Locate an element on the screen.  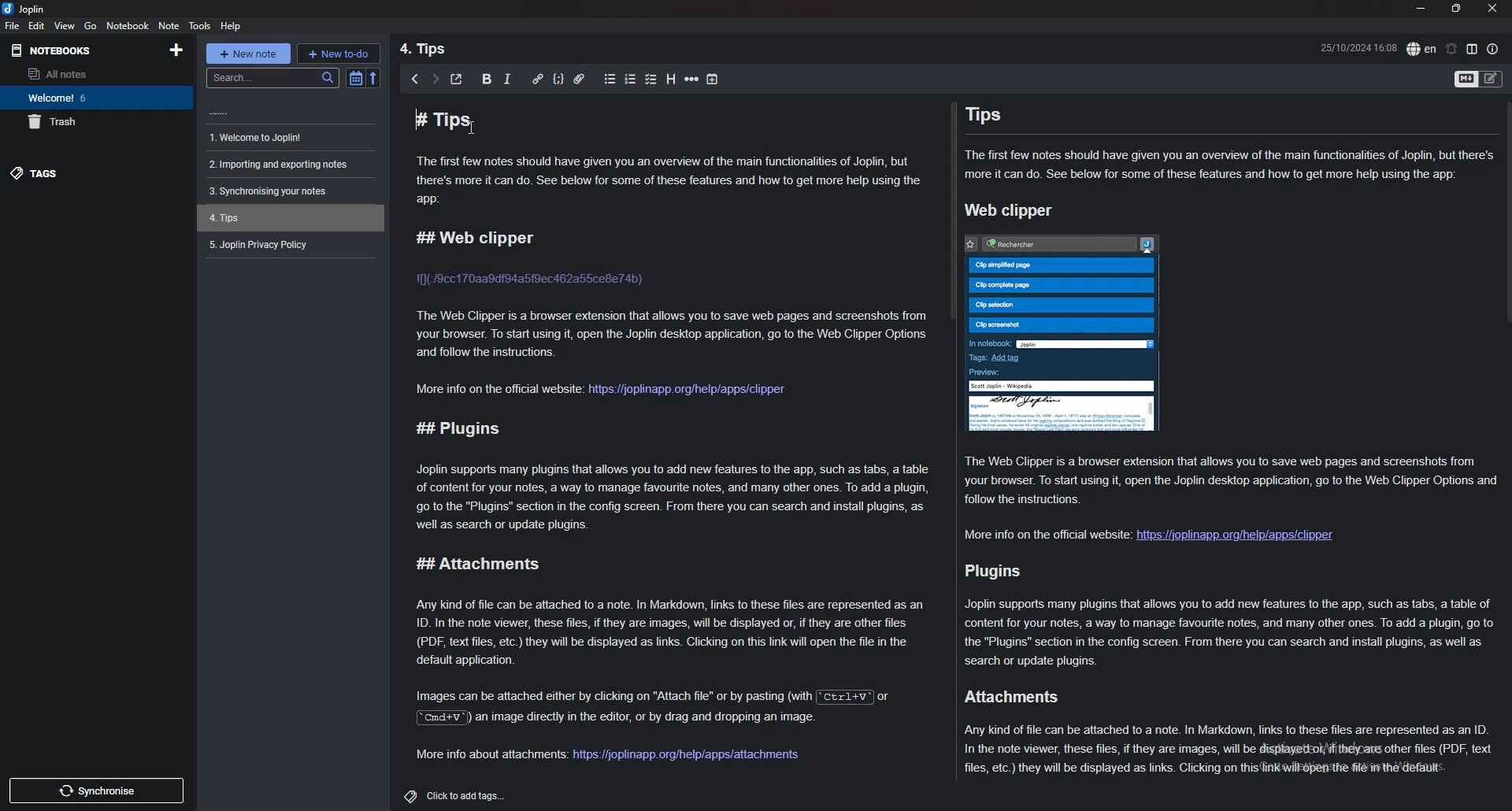
Info is located at coordinates (1062, 413).